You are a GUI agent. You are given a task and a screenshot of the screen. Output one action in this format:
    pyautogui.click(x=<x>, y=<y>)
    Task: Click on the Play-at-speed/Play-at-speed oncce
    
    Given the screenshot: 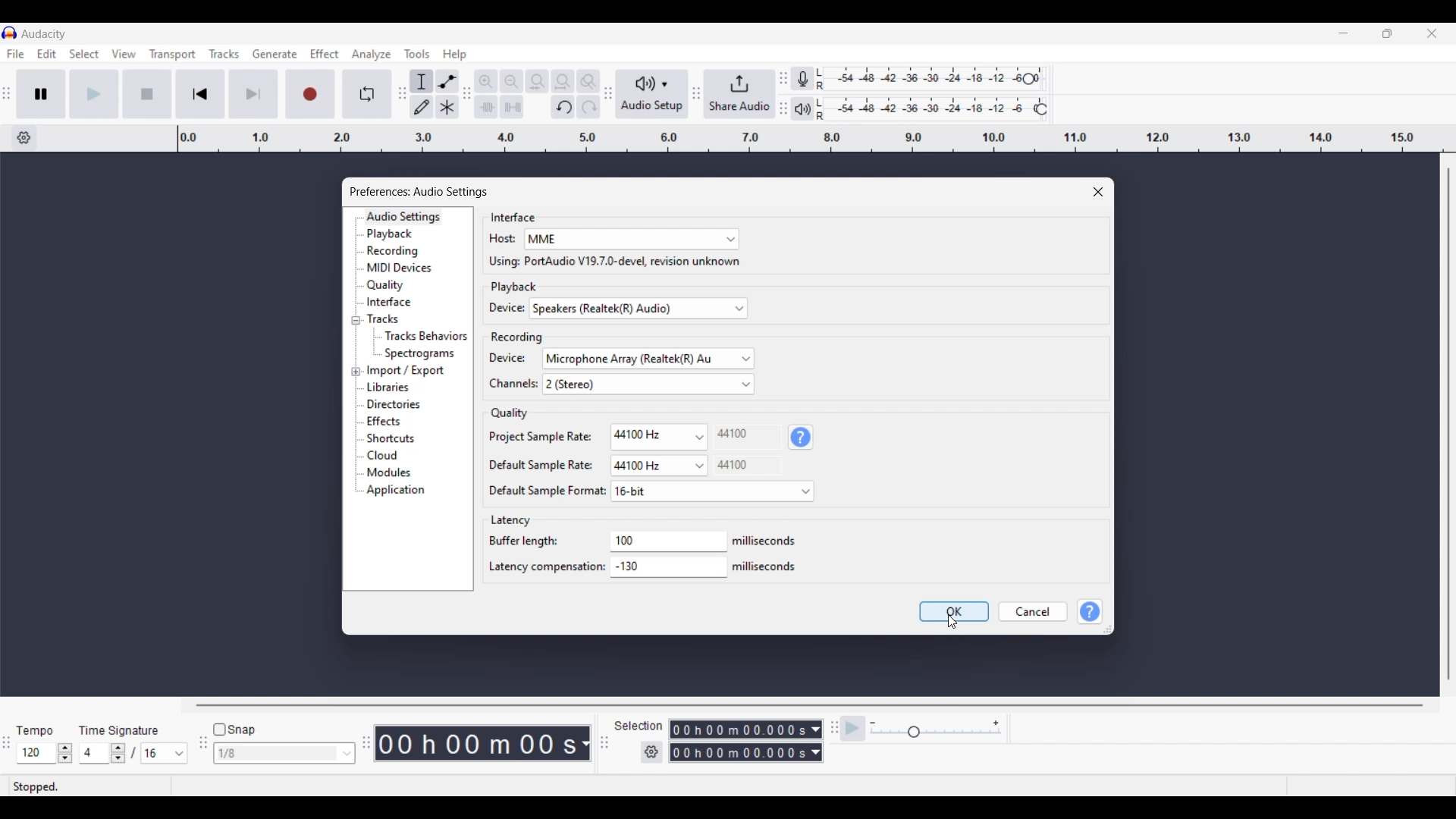 What is the action you would take?
    pyautogui.click(x=853, y=729)
    